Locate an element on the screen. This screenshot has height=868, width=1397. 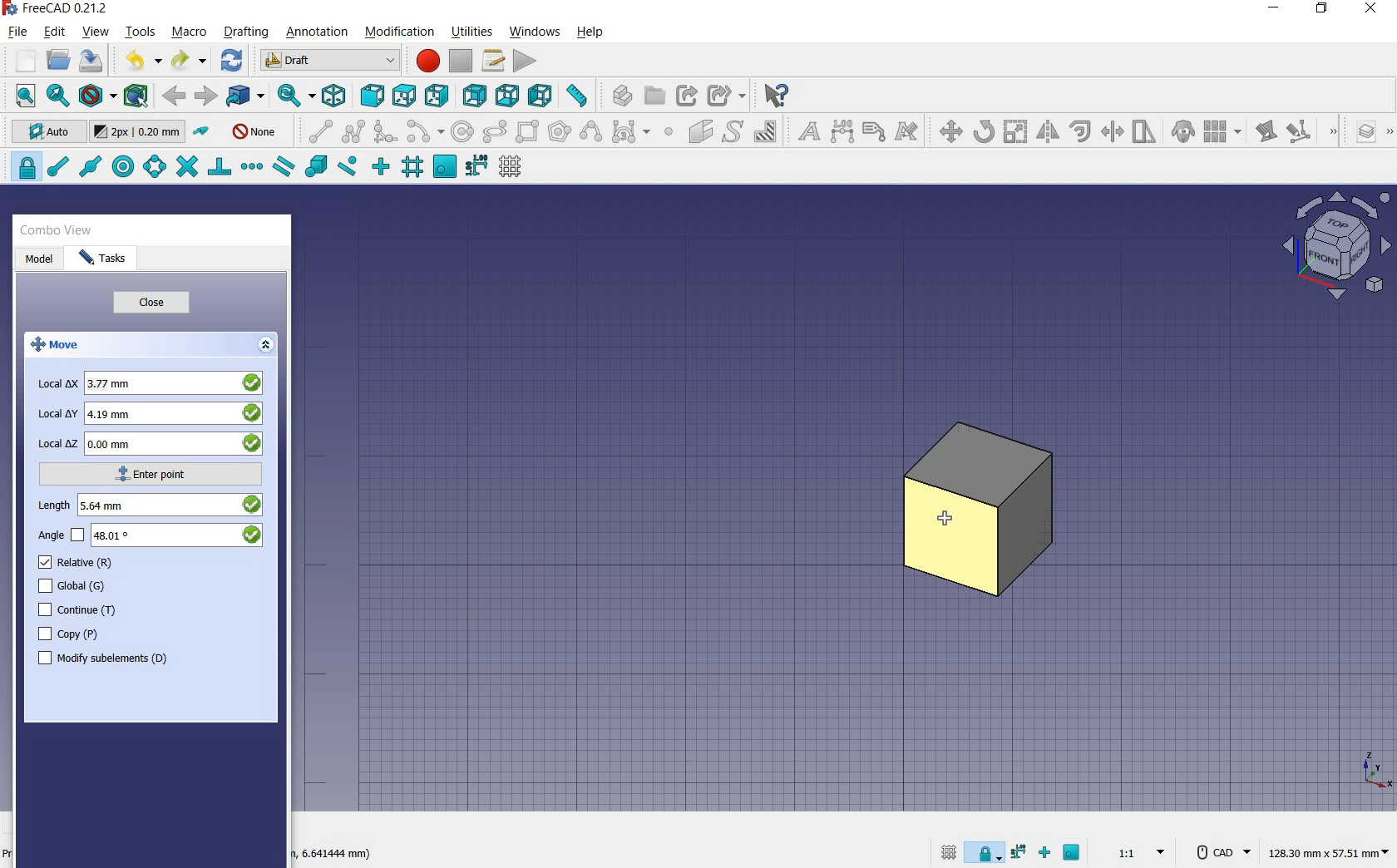
continue is located at coordinates (78, 609).